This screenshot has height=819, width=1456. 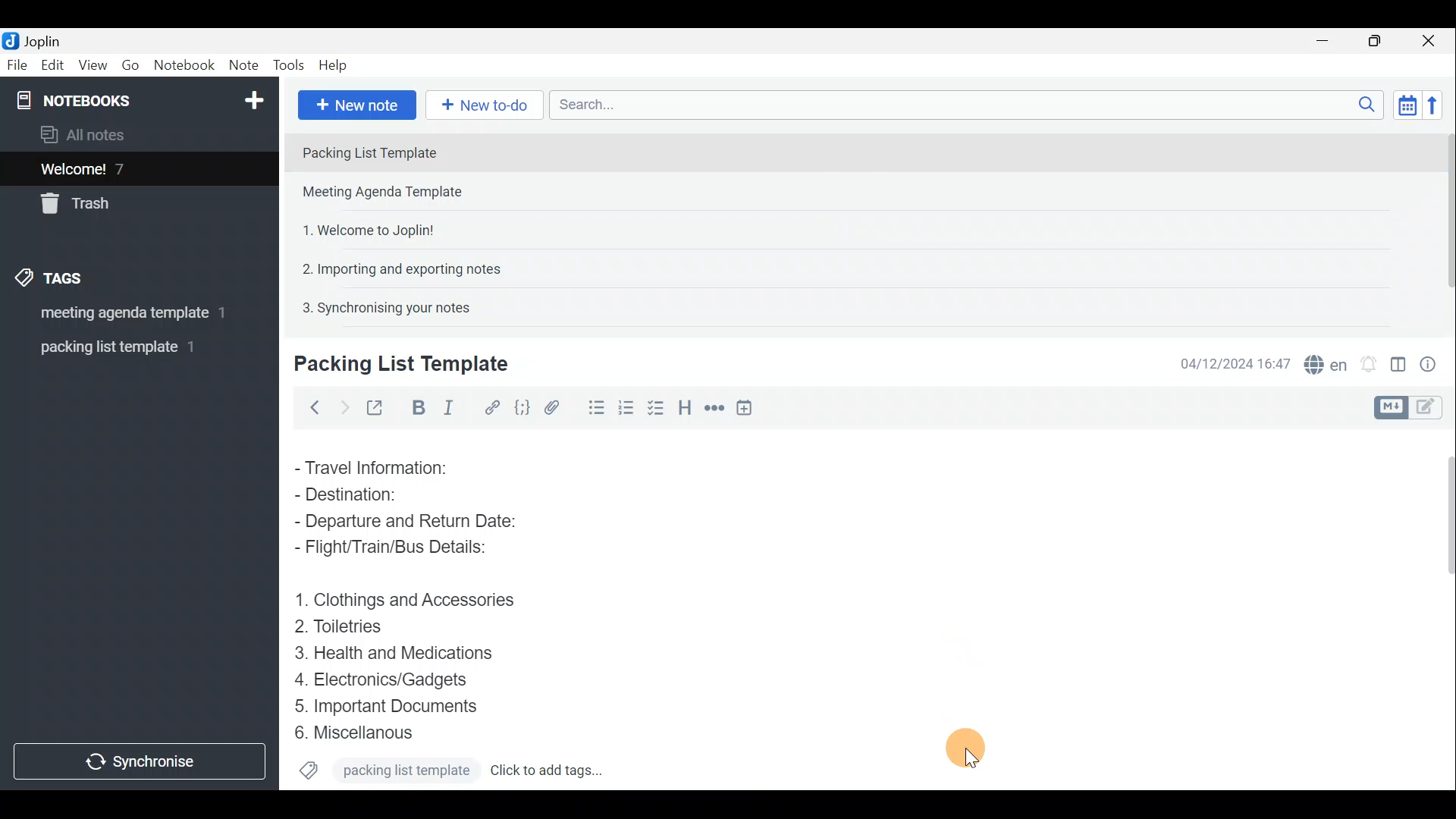 What do you see at coordinates (137, 99) in the screenshot?
I see `Notebook` at bounding box center [137, 99].